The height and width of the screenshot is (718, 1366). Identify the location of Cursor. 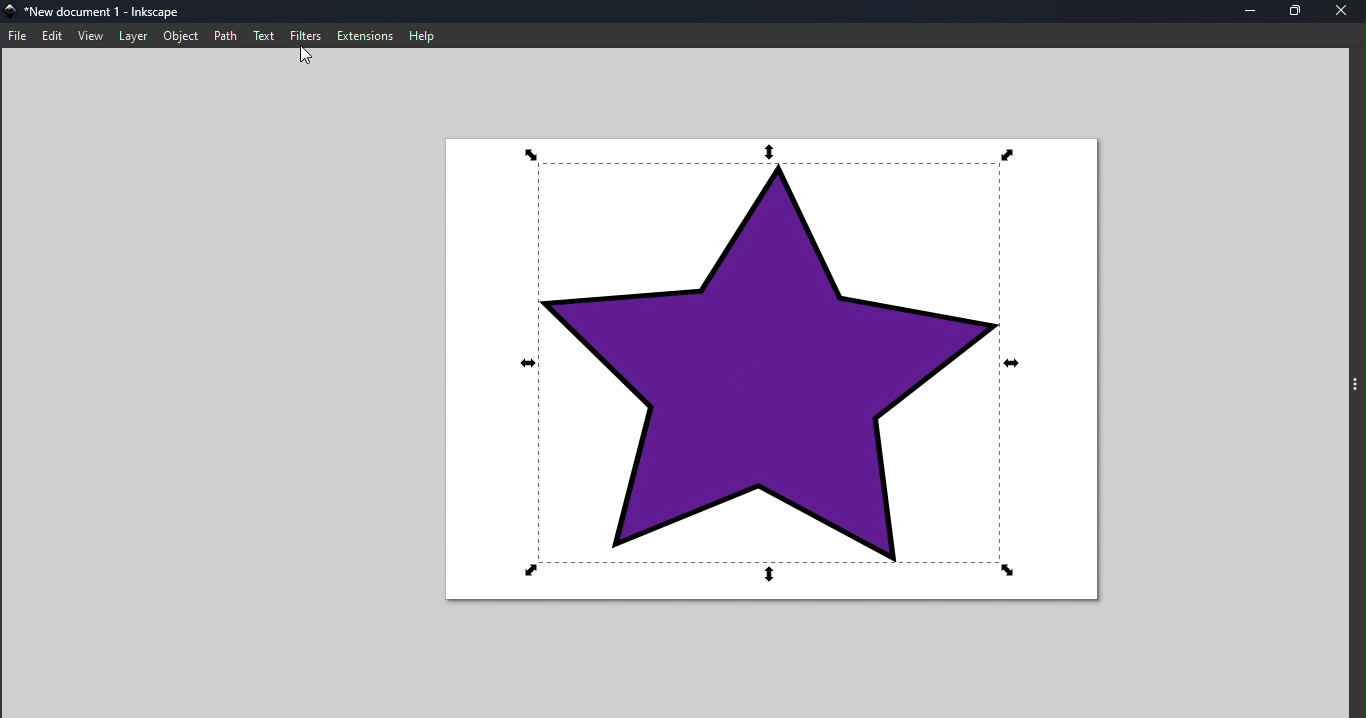
(310, 60).